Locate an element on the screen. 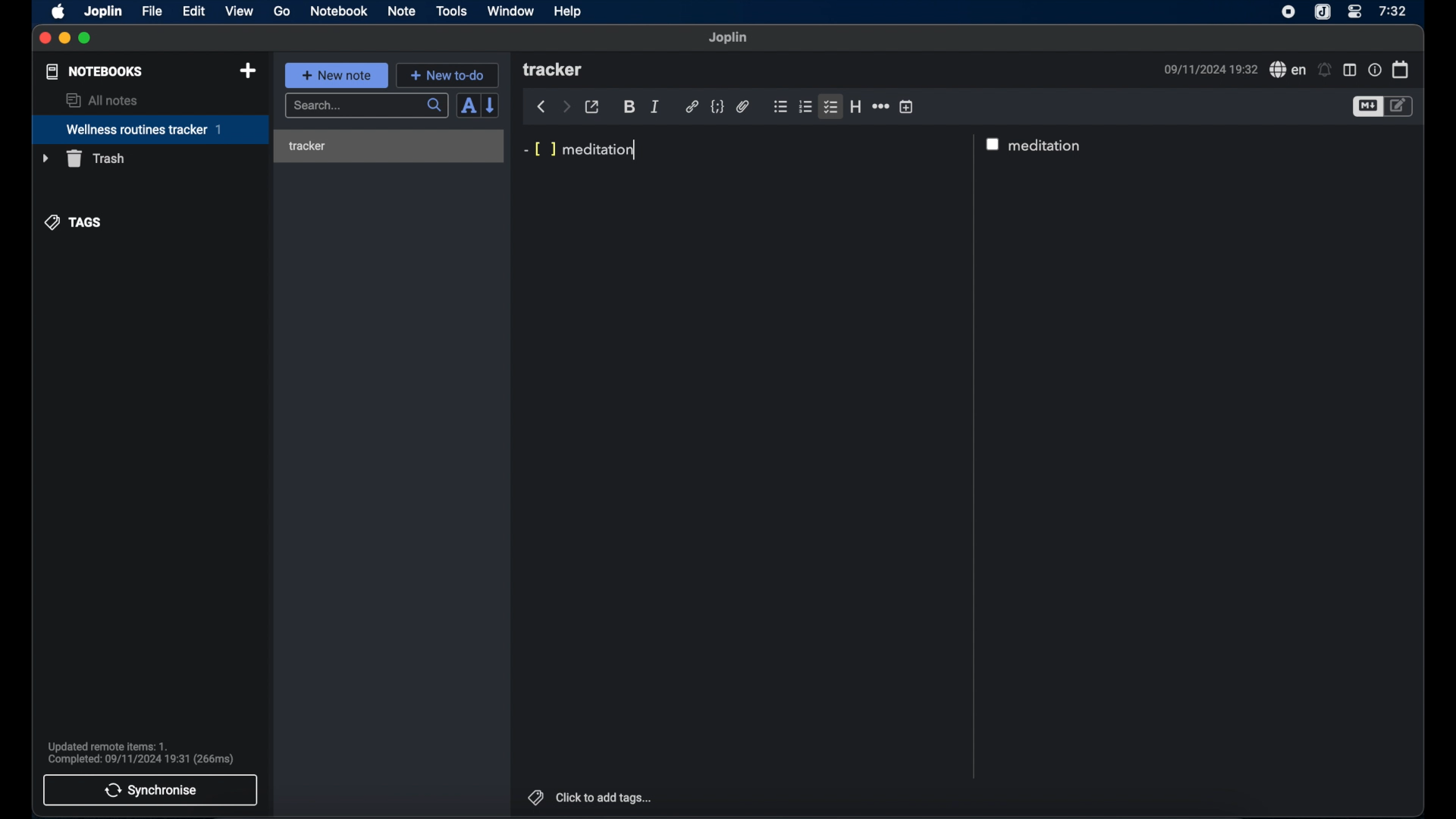  file is located at coordinates (152, 11).